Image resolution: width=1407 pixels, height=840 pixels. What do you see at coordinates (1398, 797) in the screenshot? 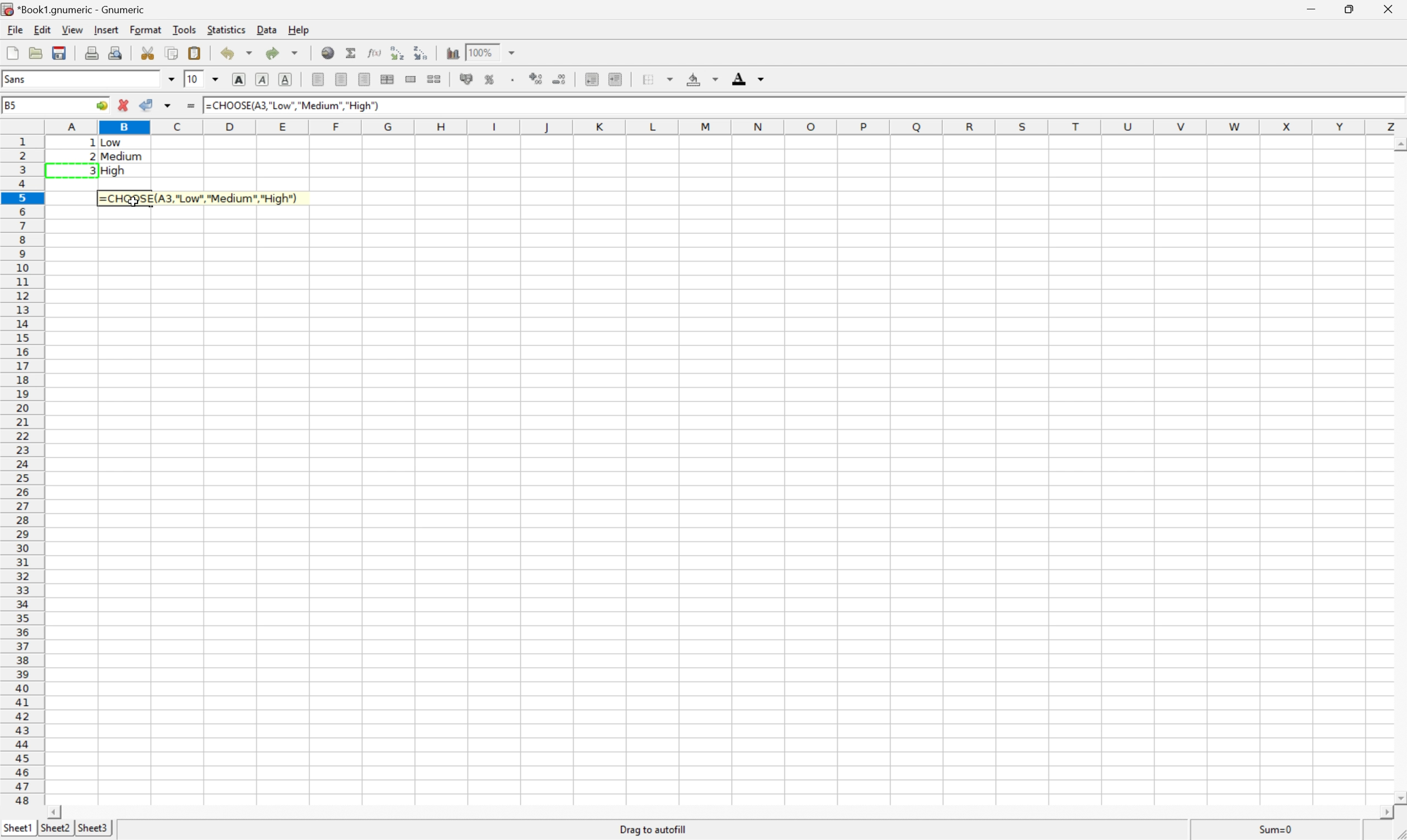
I see `Scroll Down` at bounding box center [1398, 797].